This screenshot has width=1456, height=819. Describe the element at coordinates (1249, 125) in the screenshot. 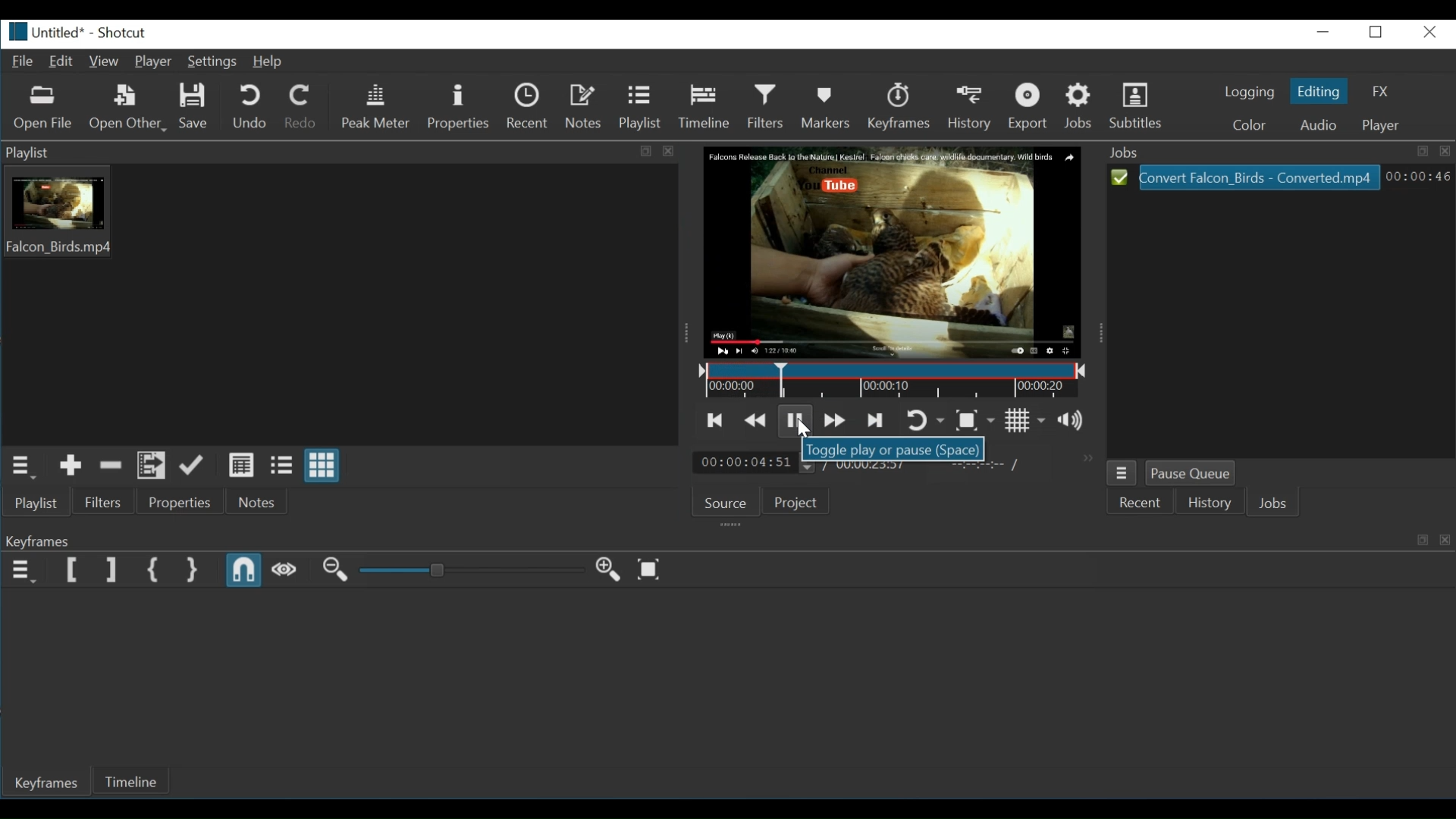

I see `Color` at that location.